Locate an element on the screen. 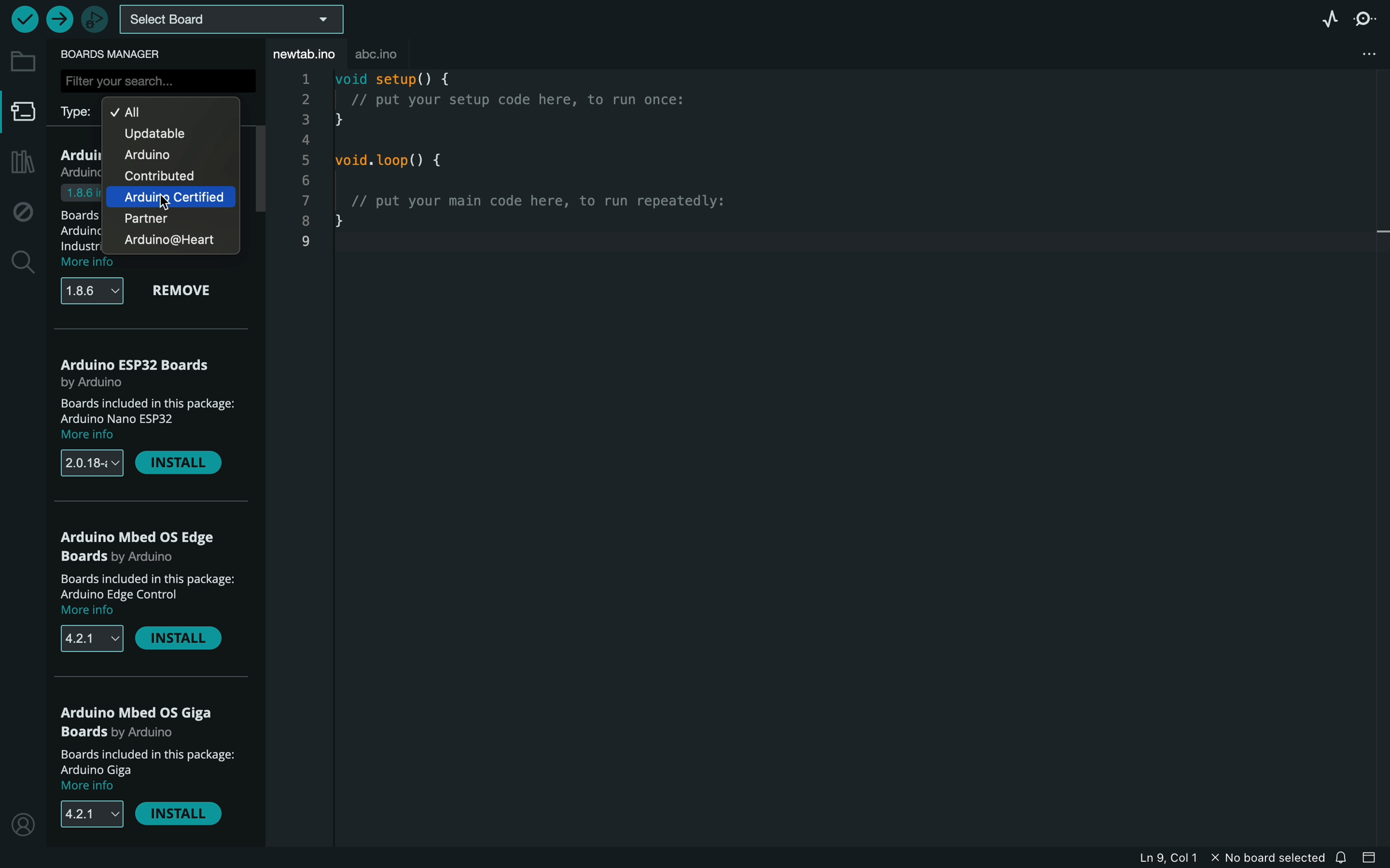 This screenshot has width=1390, height=868. OS Giga  is located at coordinates (145, 723).